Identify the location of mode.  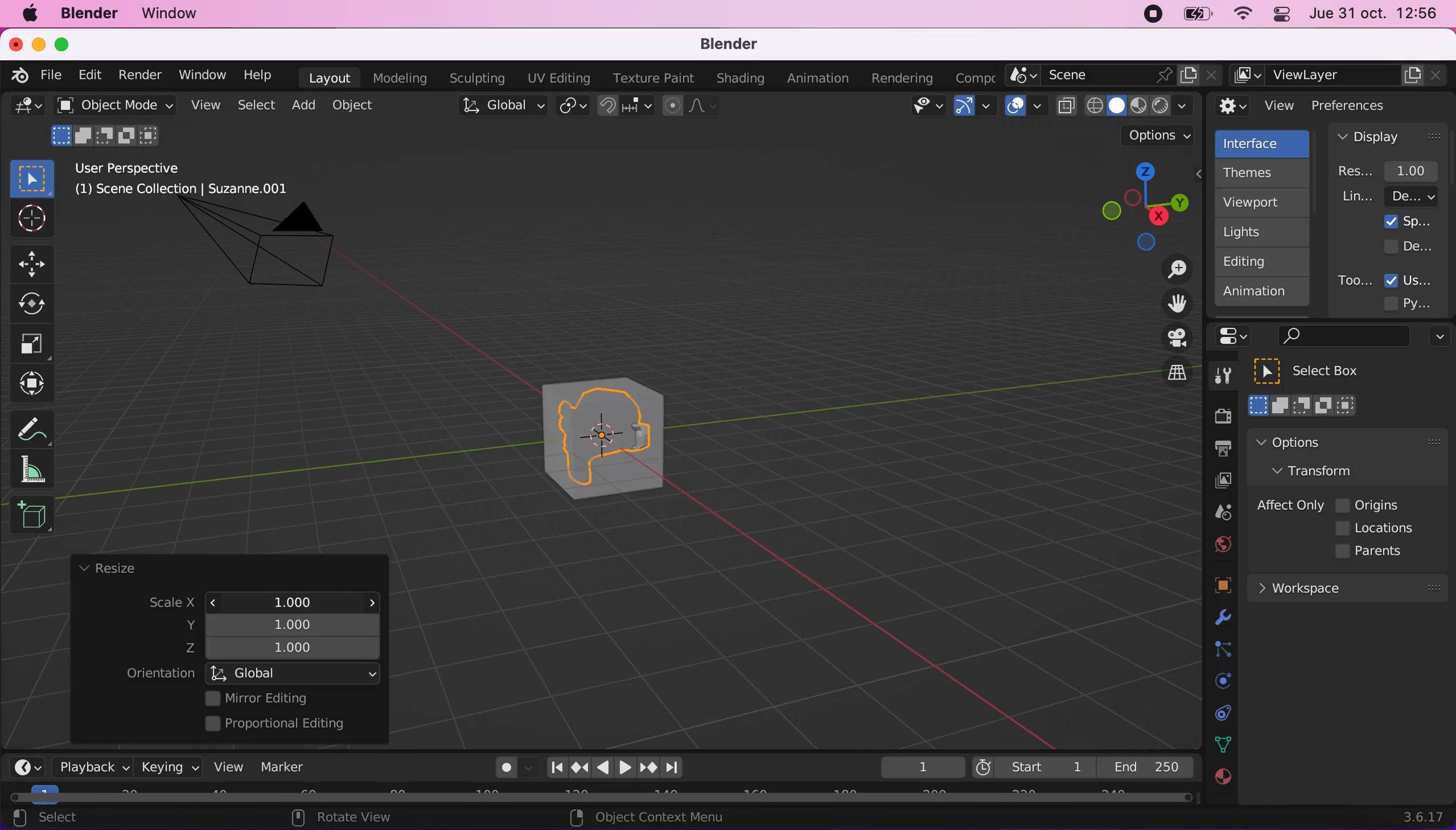
(108, 134).